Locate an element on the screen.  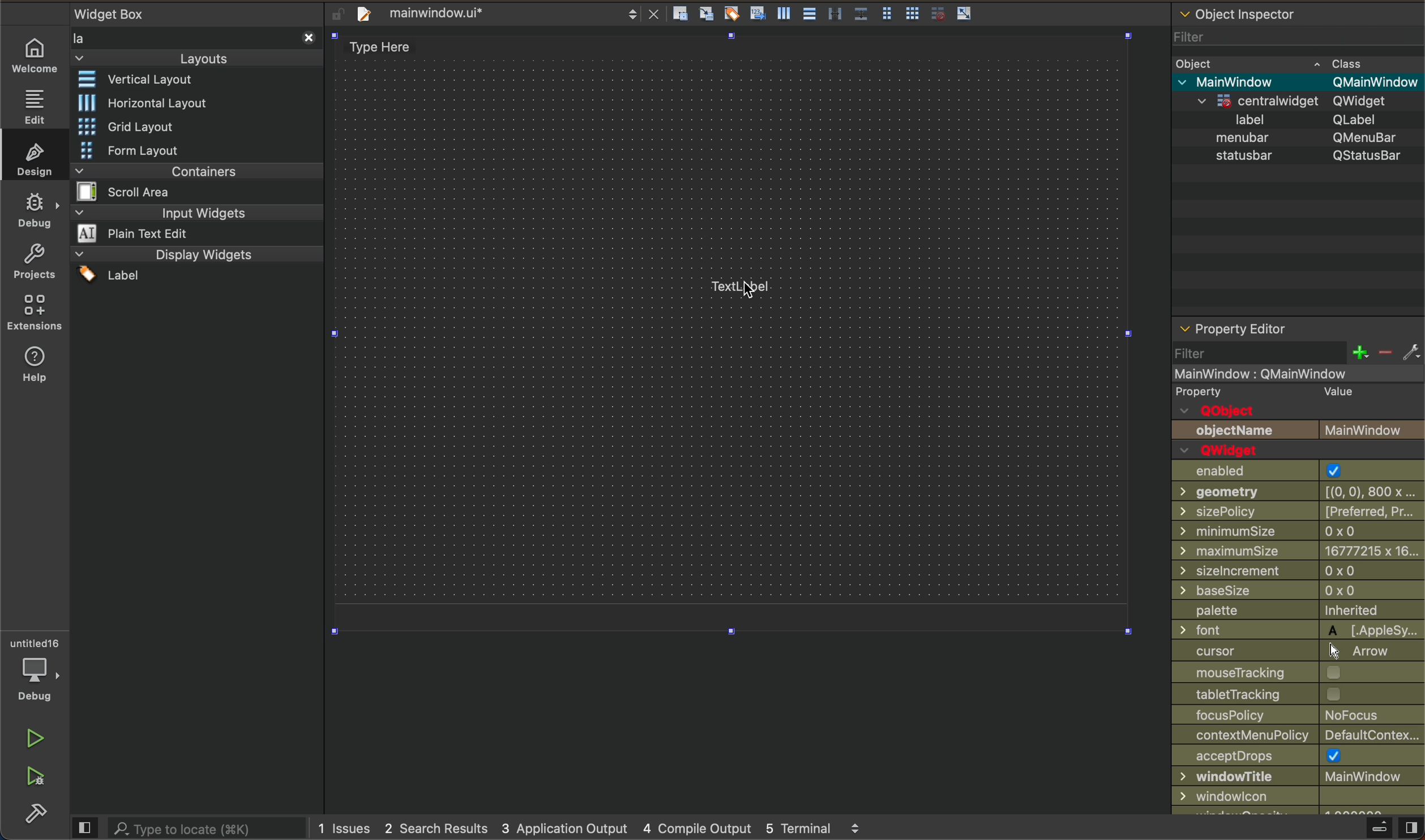
cursor is located at coordinates (739, 298).